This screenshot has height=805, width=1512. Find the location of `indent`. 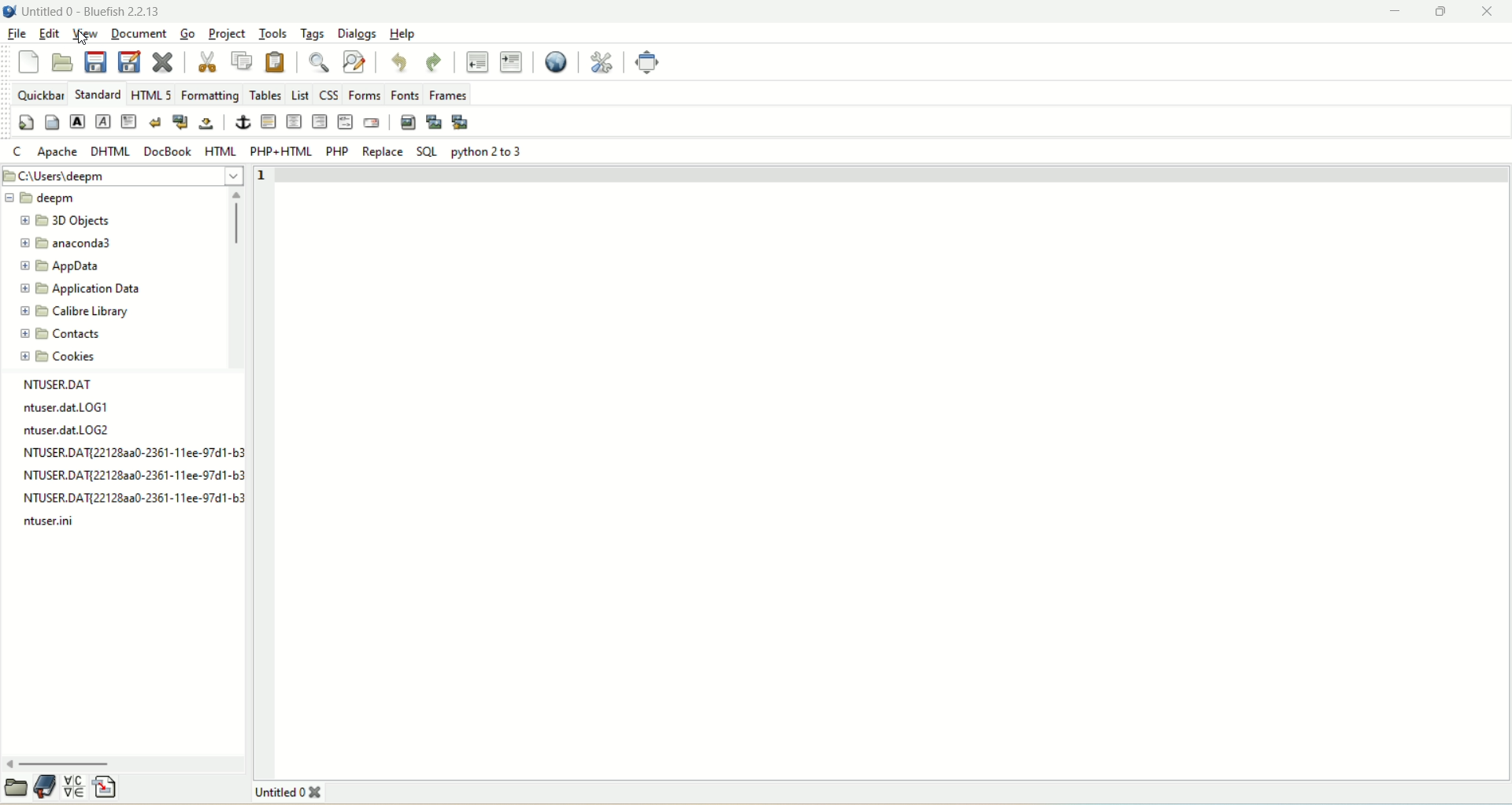

indent is located at coordinates (510, 61).